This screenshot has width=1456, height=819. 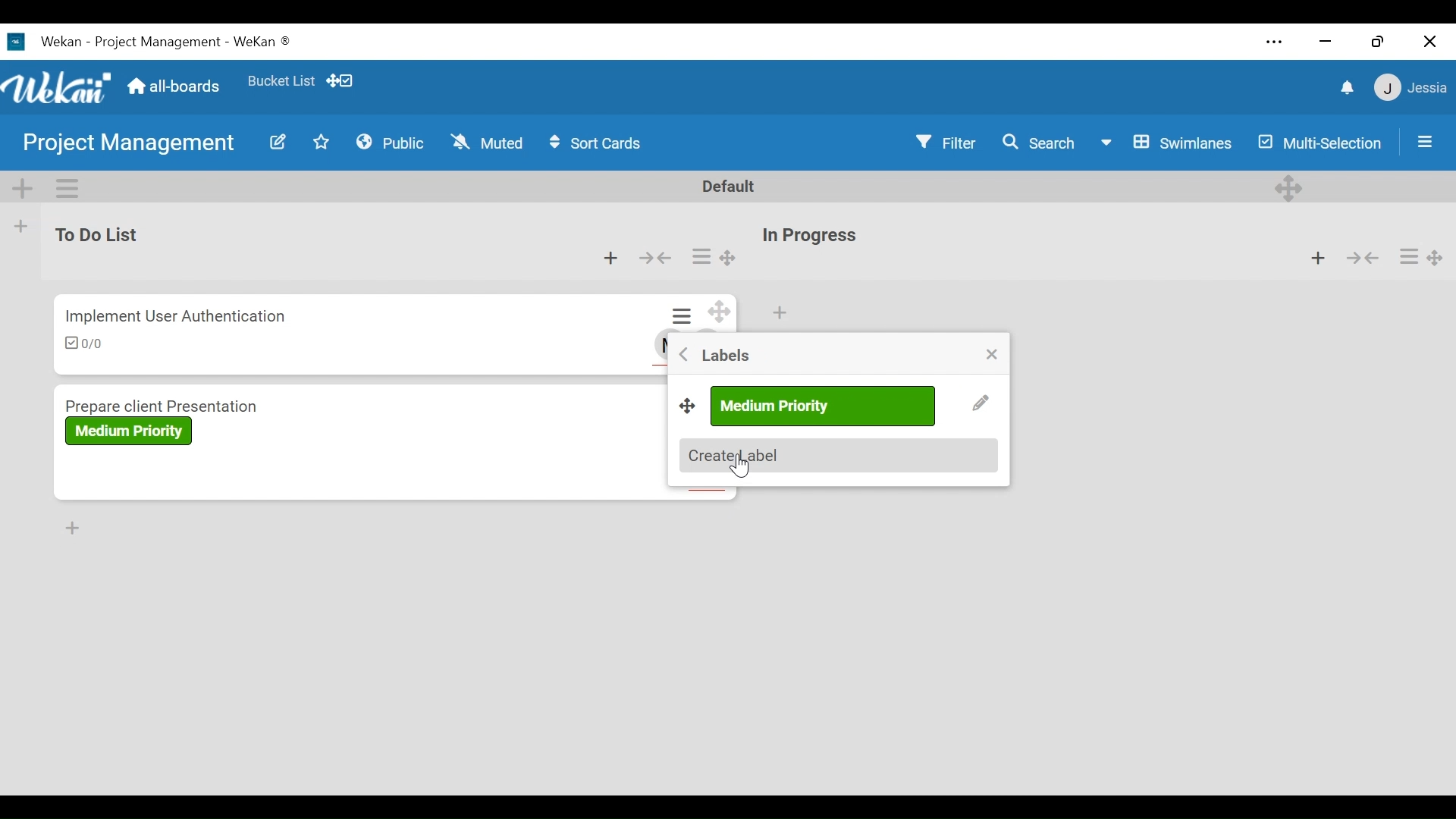 I want to click on Sort Cards, so click(x=601, y=143).